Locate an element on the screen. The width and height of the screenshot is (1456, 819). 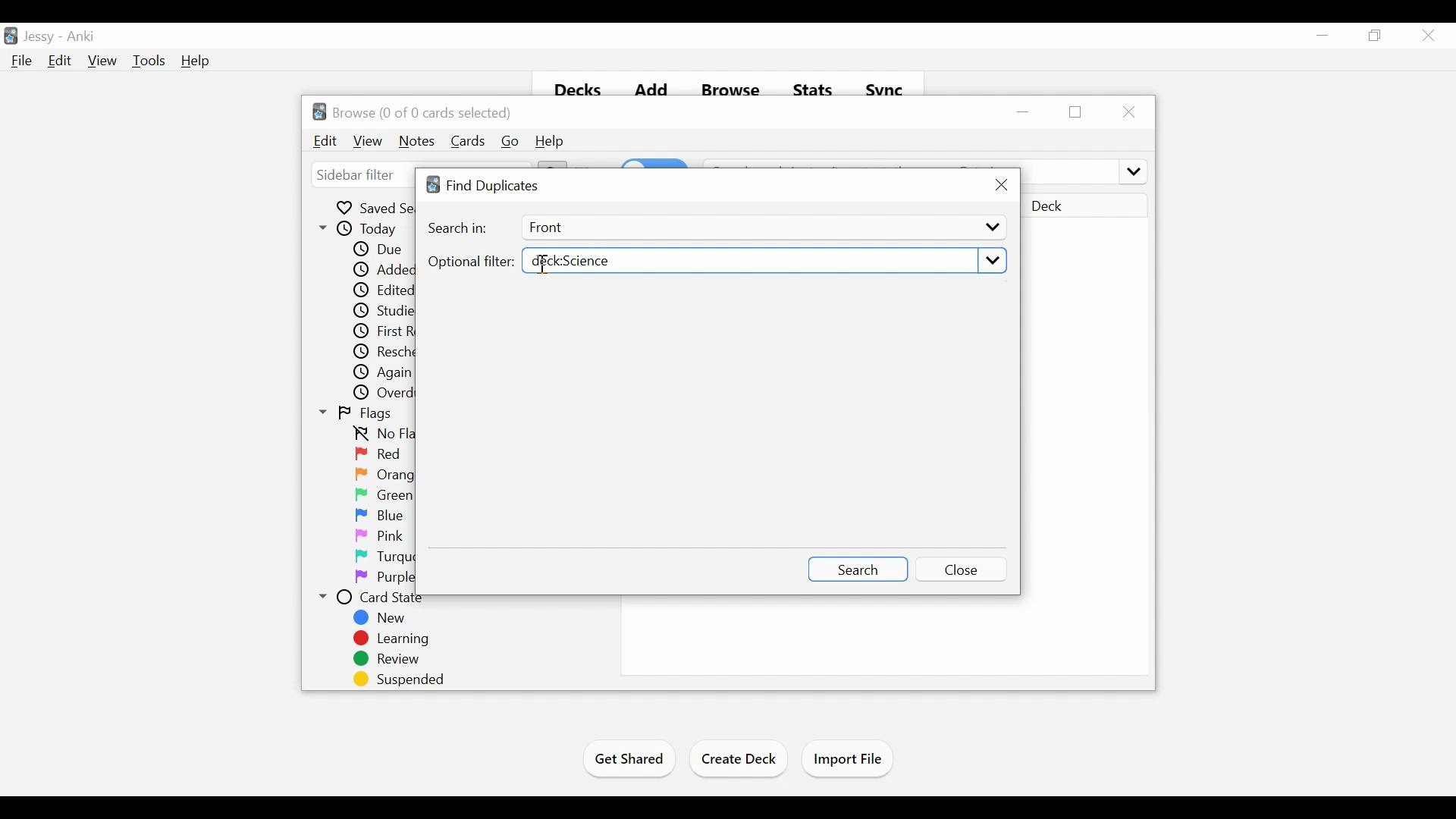
Deck is located at coordinates (1084, 207).